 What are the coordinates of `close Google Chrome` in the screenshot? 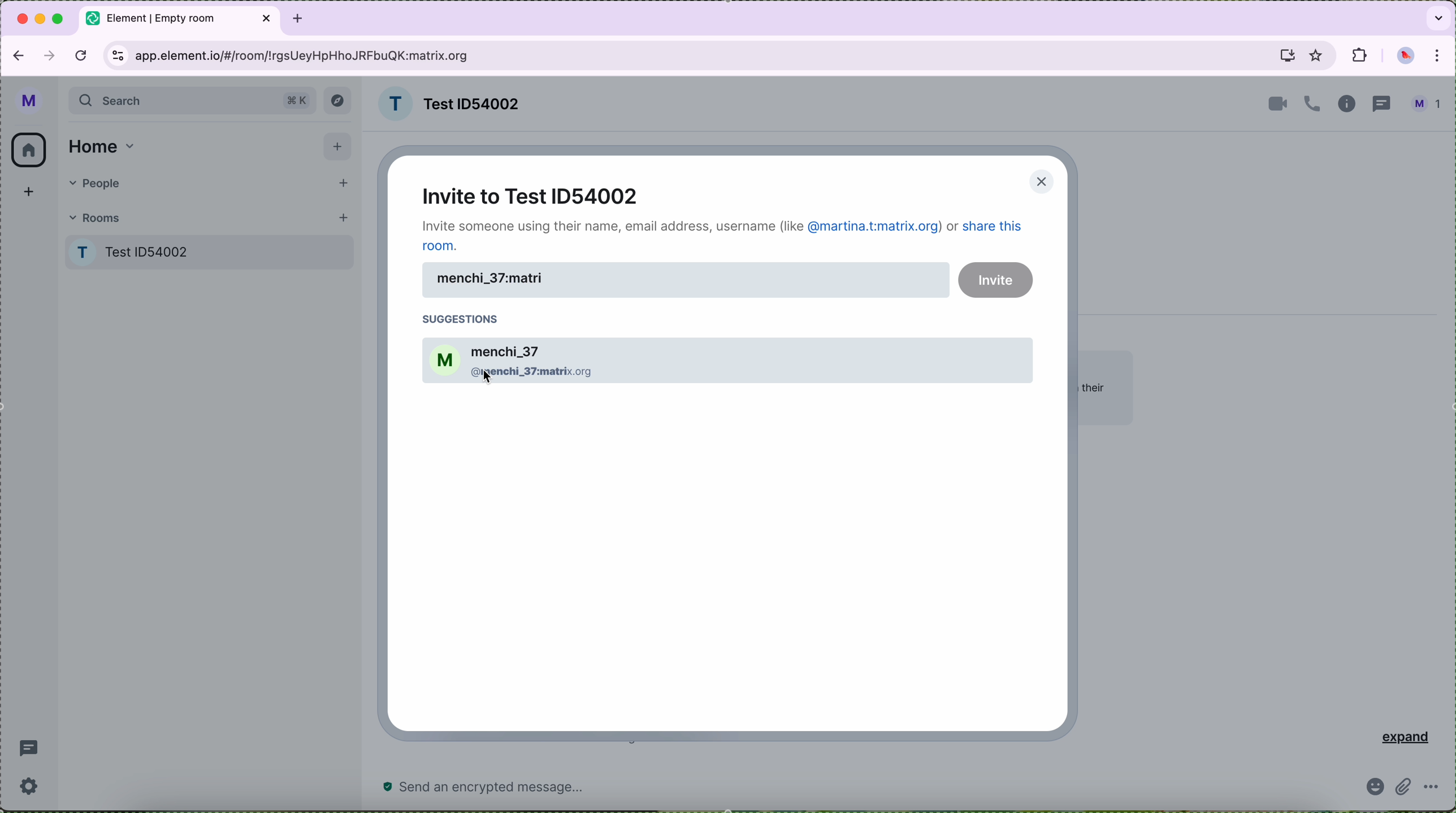 It's located at (23, 18).